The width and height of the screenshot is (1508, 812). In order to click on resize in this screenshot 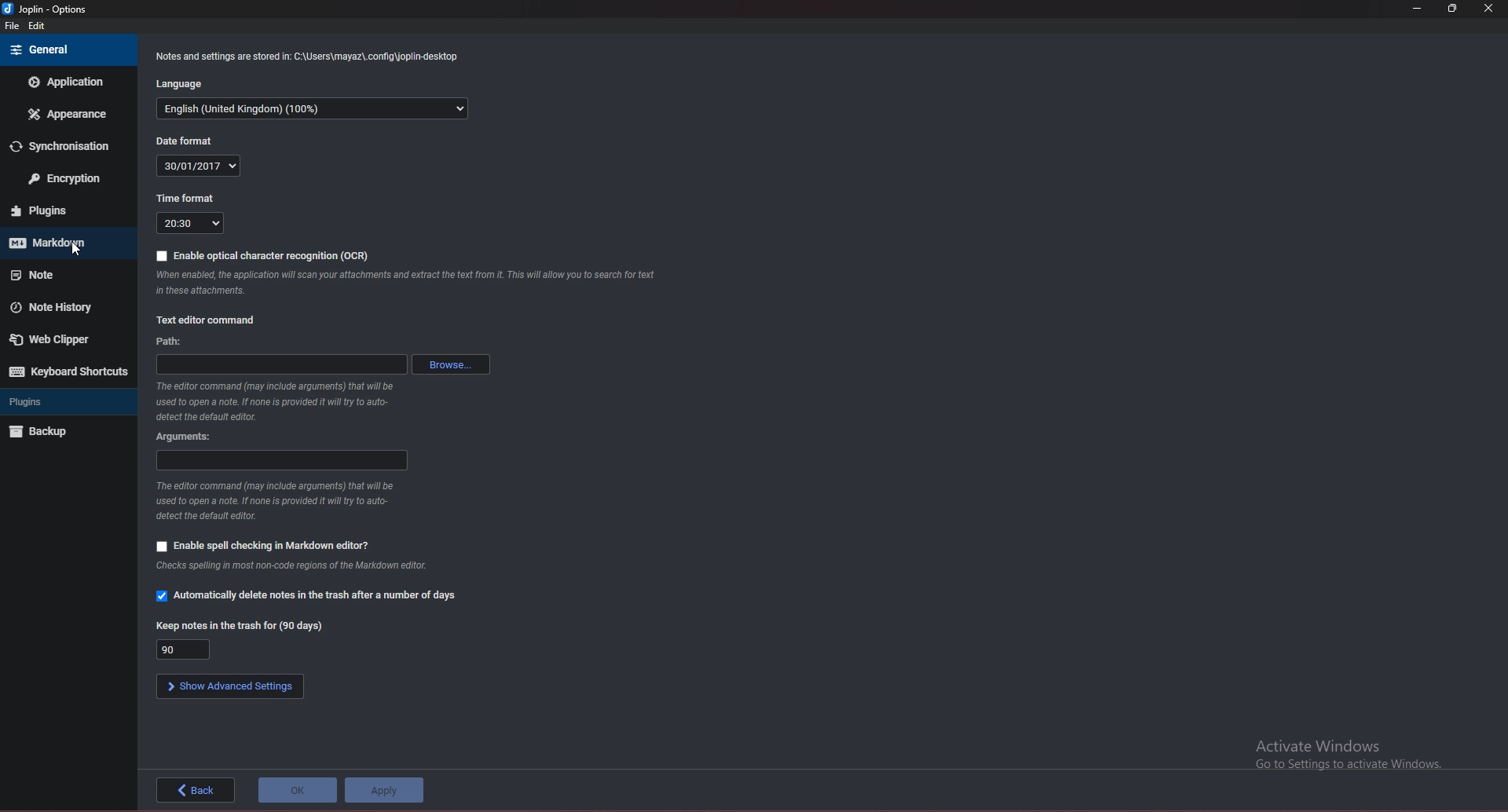, I will do `click(1453, 9)`.